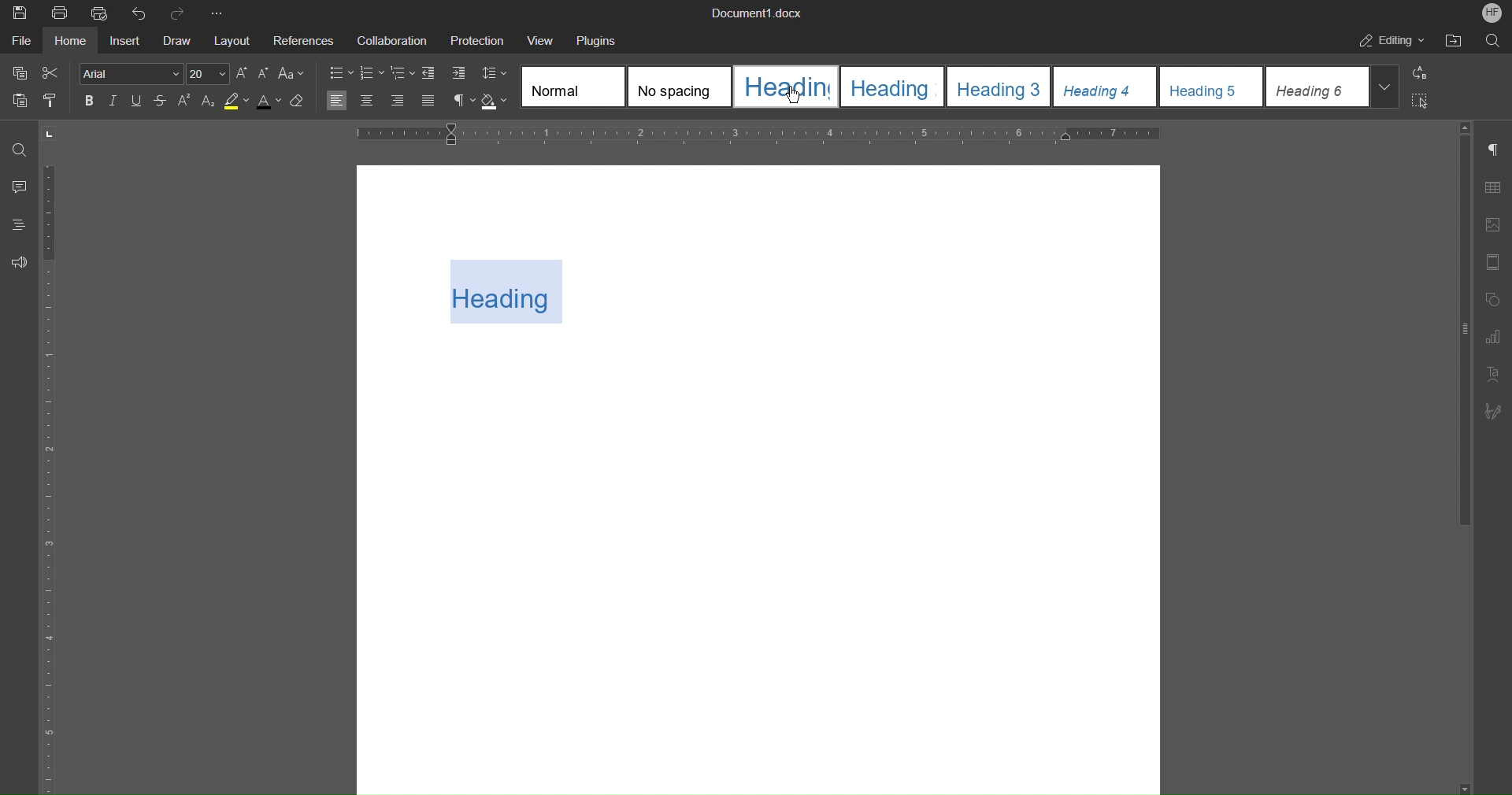 The width and height of the screenshot is (1512, 795). I want to click on Move up, so click(1469, 125).